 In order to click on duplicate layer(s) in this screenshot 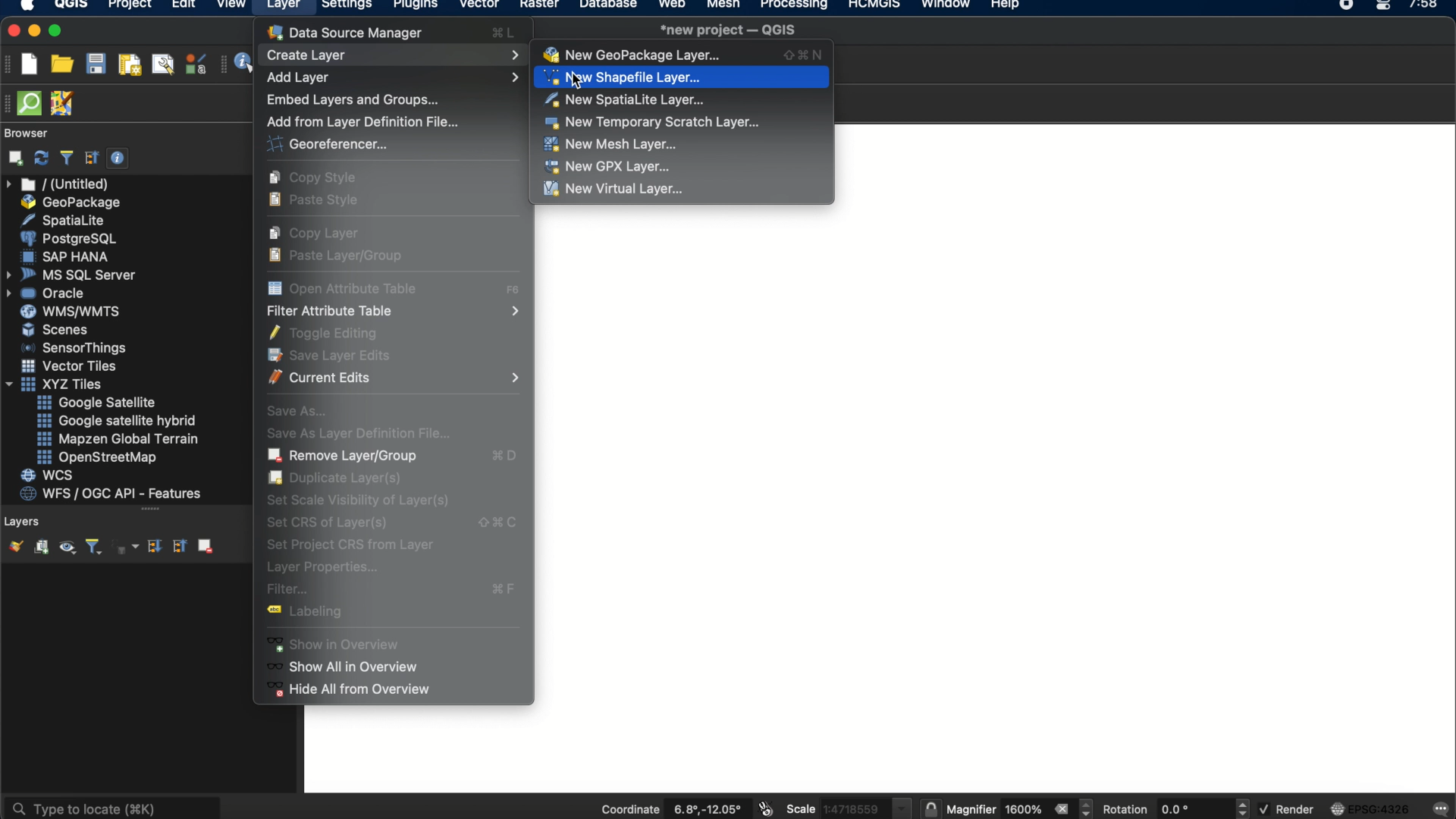, I will do `click(334, 479)`.